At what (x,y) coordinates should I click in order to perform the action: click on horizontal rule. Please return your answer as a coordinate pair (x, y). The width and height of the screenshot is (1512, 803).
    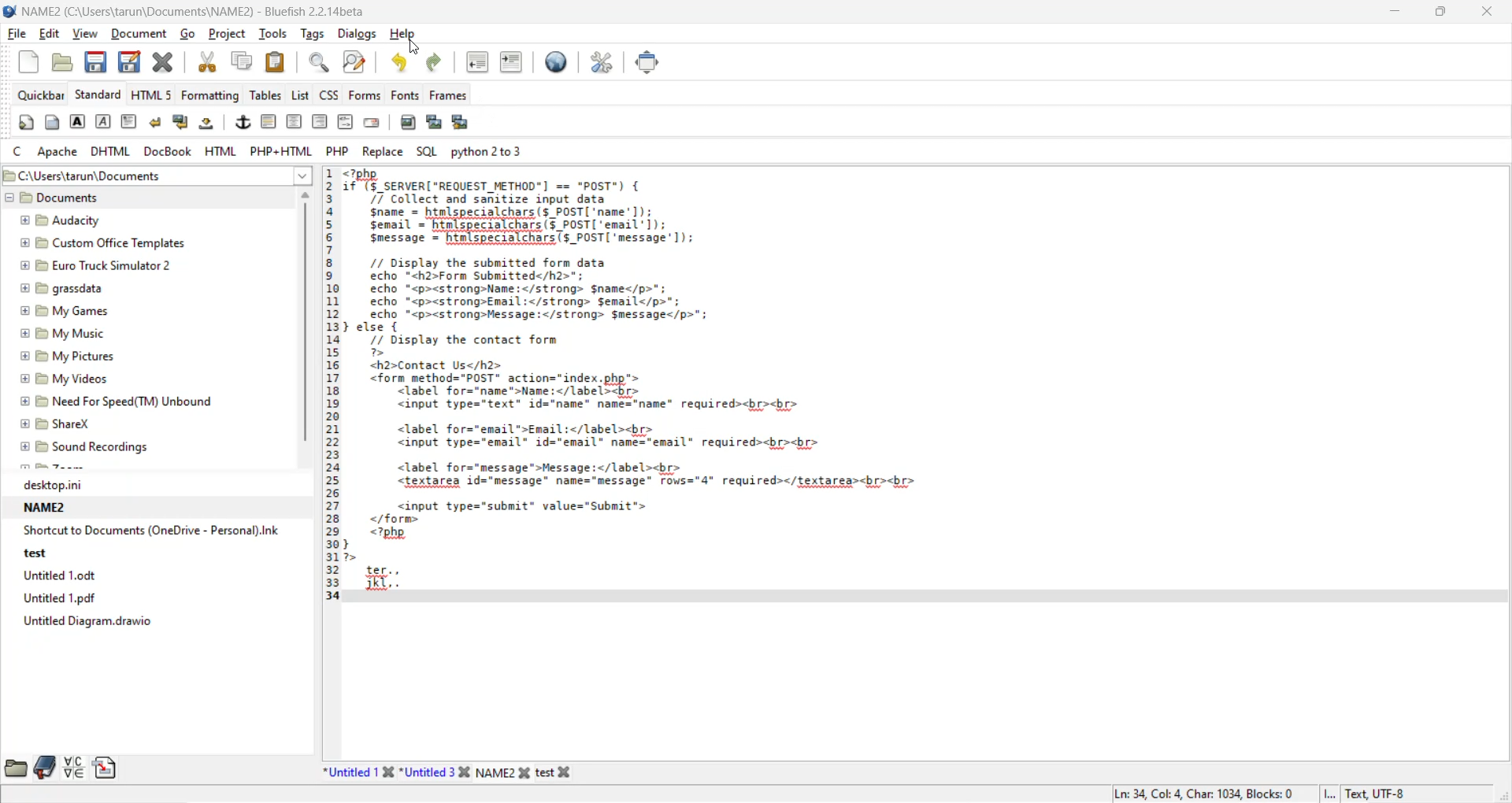
    Looking at the image, I should click on (270, 121).